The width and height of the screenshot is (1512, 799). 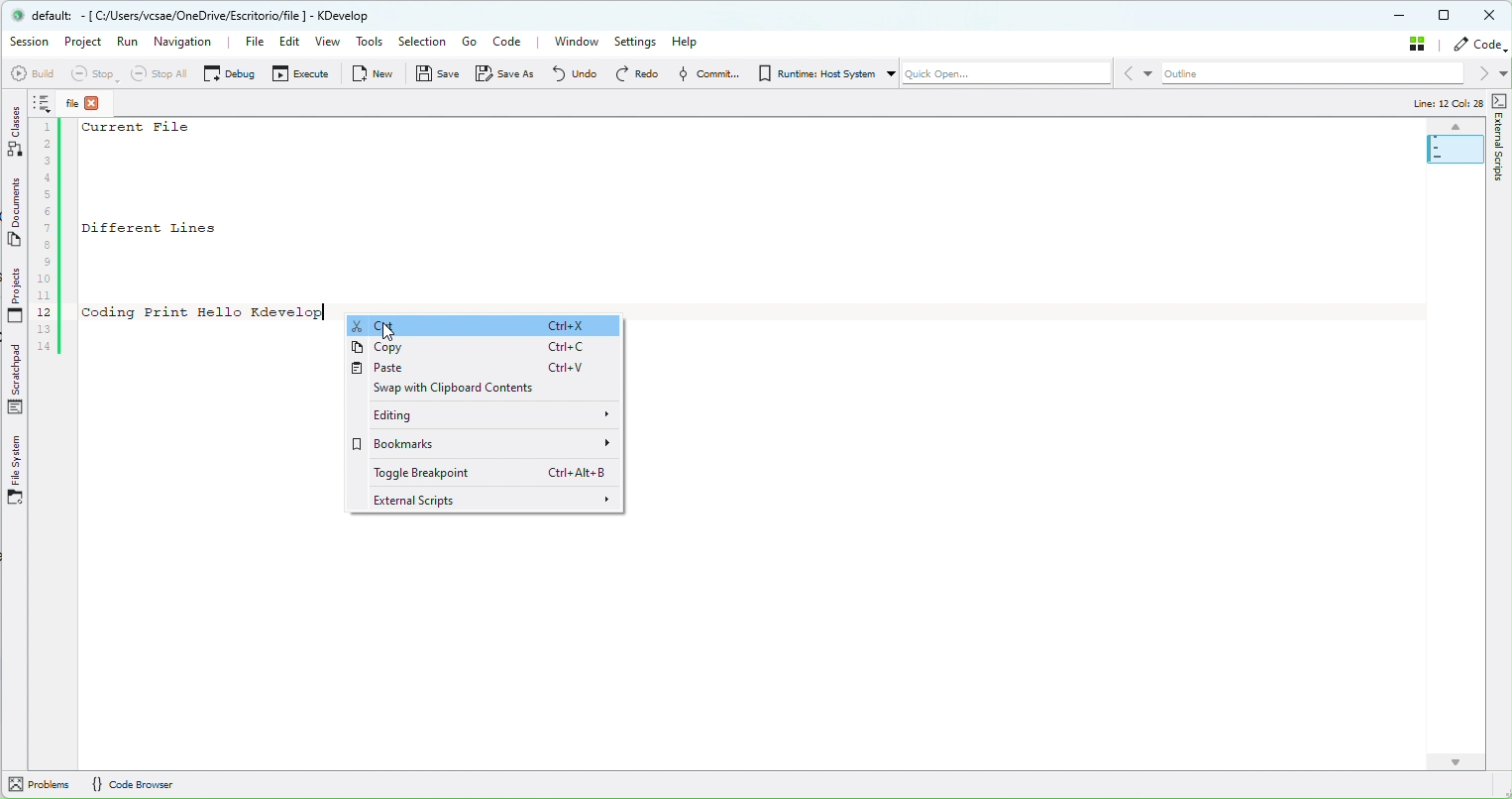 What do you see at coordinates (487, 322) in the screenshot?
I see `Cut` at bounding box center [487, 322].